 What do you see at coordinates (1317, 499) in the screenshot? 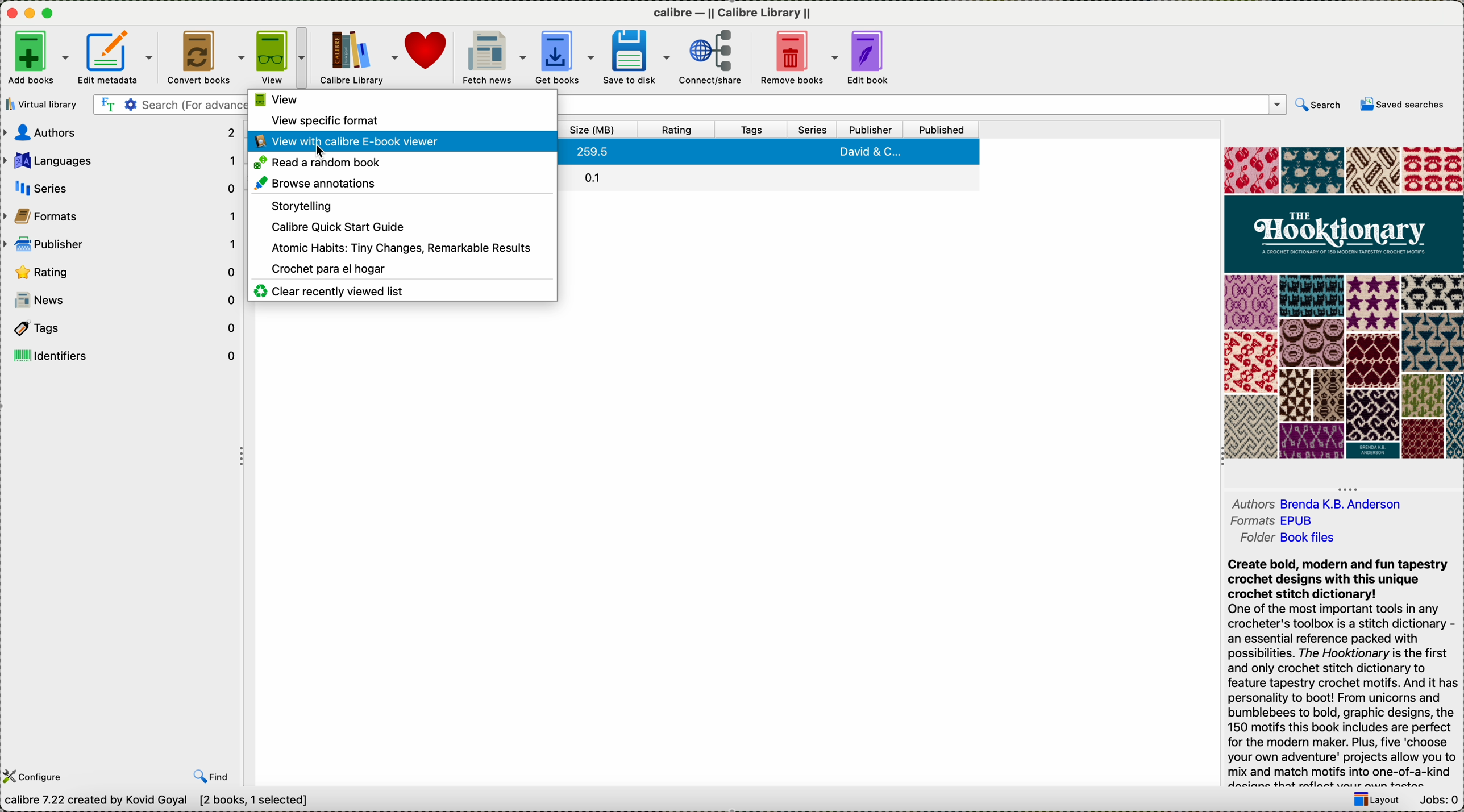
I see `authors` at bounding box center [1317, 499].